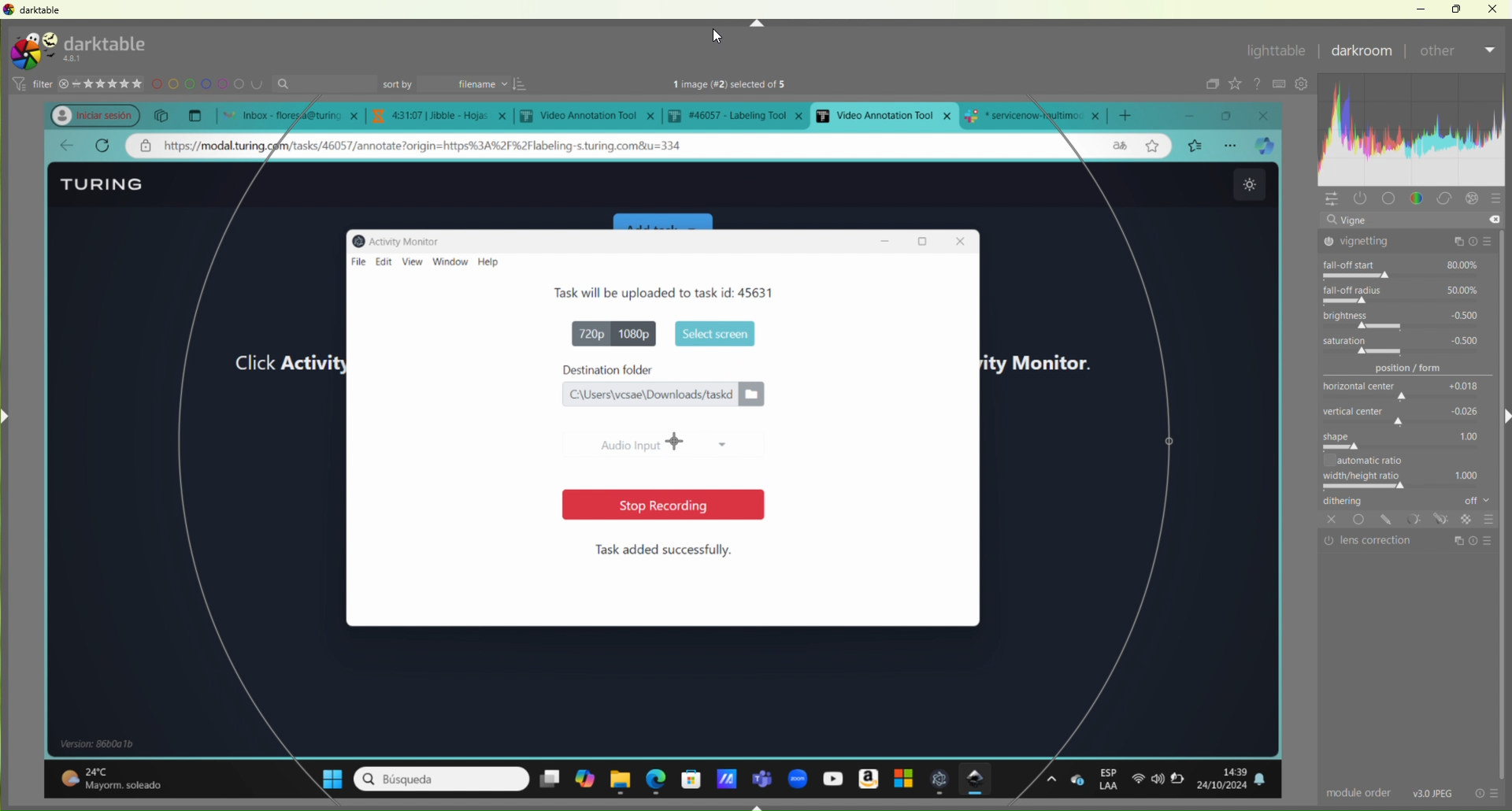  Describe the element at coordinates (495, 262) in the screenshot. I see `help` at that location.